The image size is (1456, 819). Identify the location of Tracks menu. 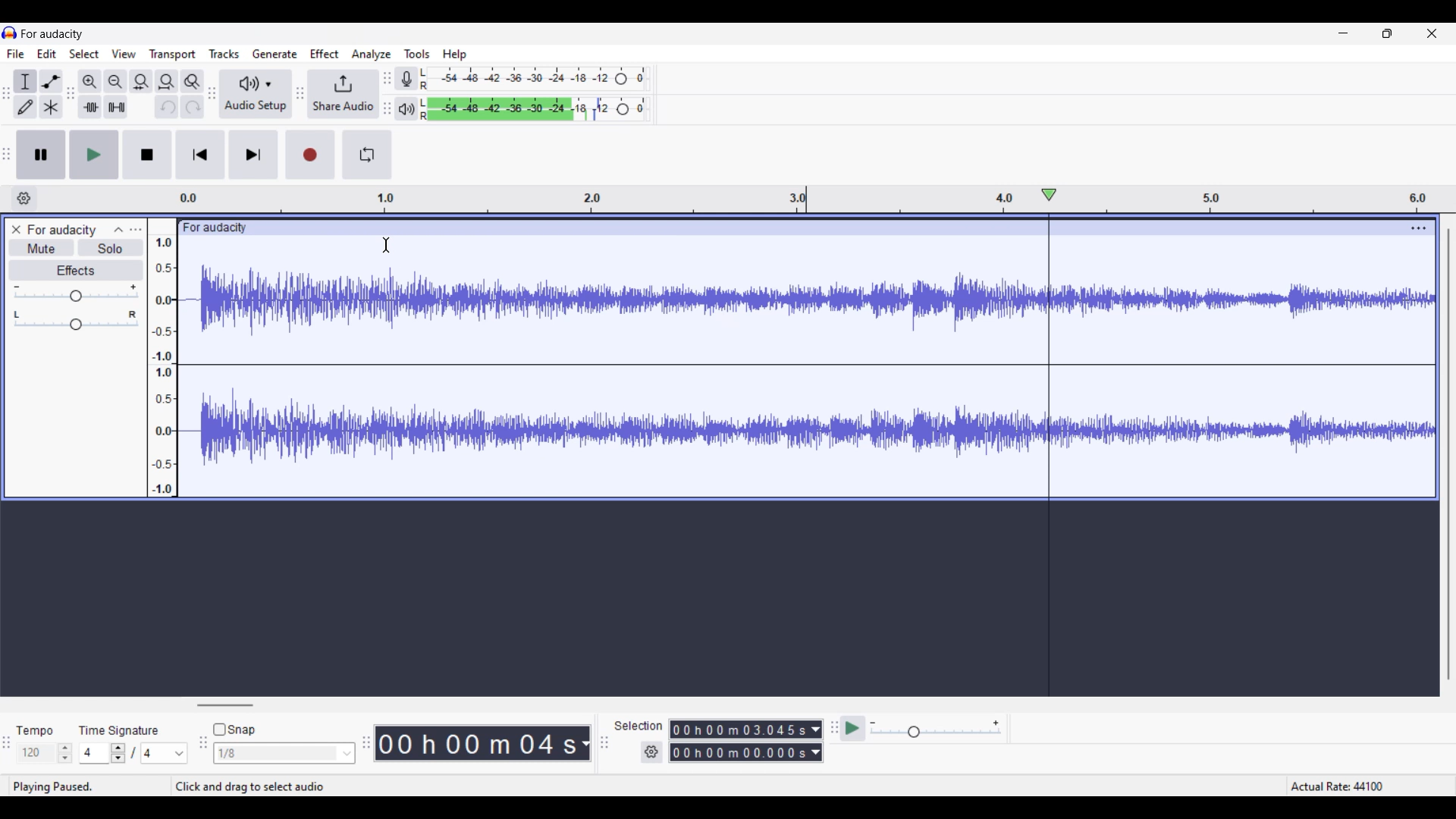
(224, 53).